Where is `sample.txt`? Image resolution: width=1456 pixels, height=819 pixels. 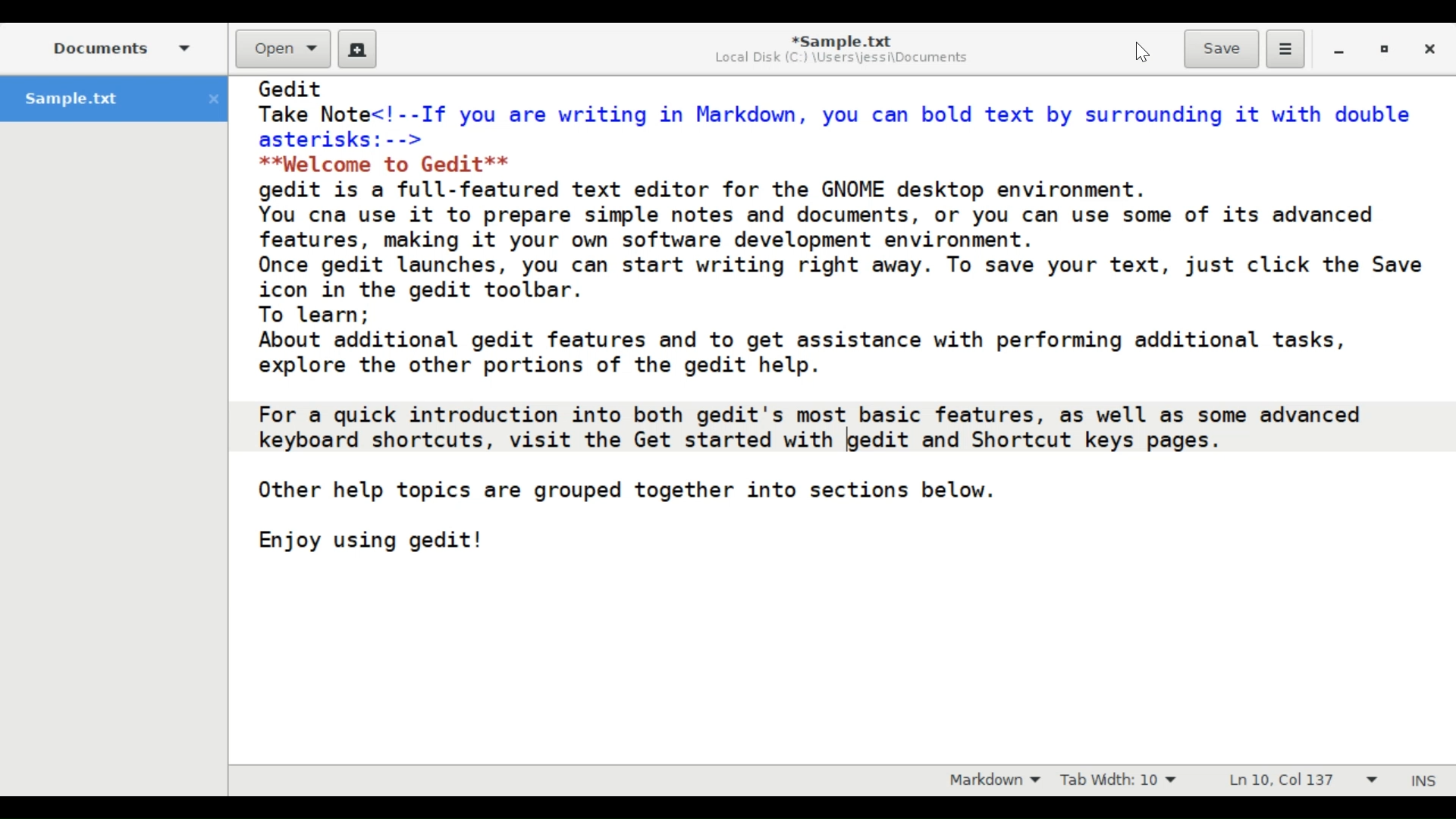 sample.txt is located at coordinates (99, 99).